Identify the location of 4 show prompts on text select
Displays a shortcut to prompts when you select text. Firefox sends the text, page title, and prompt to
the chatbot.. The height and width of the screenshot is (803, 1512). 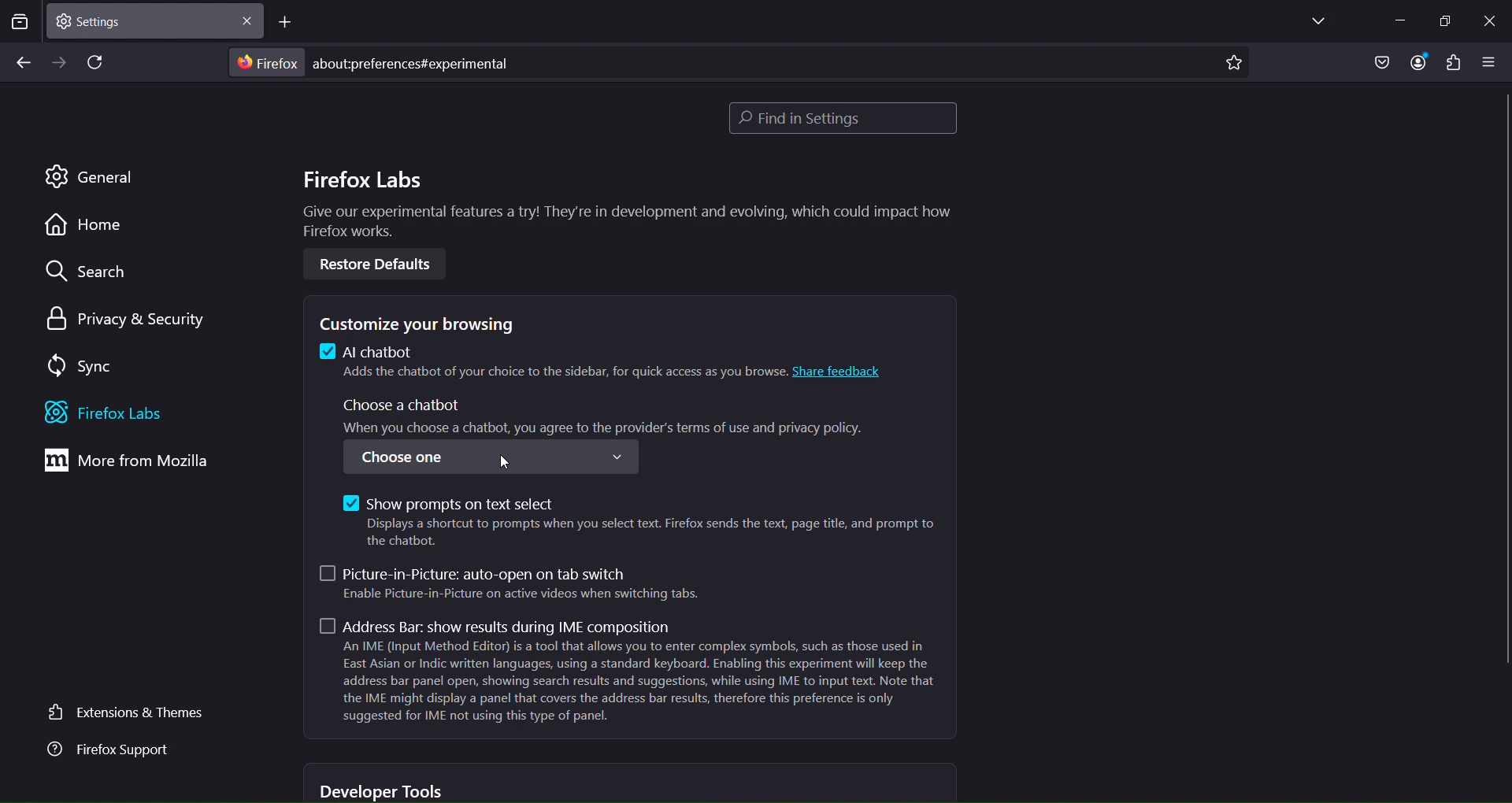
(636, 517).